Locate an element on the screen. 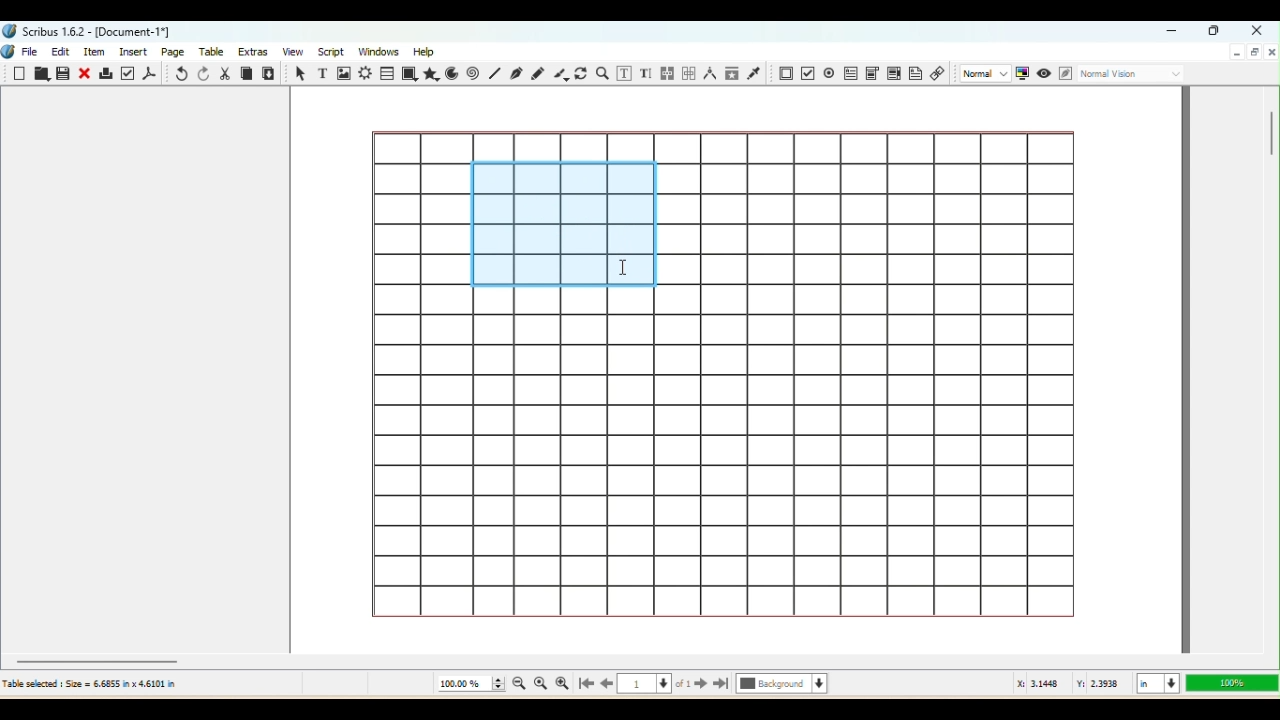  Select the image preview quality is located at coordinates (983, 73).